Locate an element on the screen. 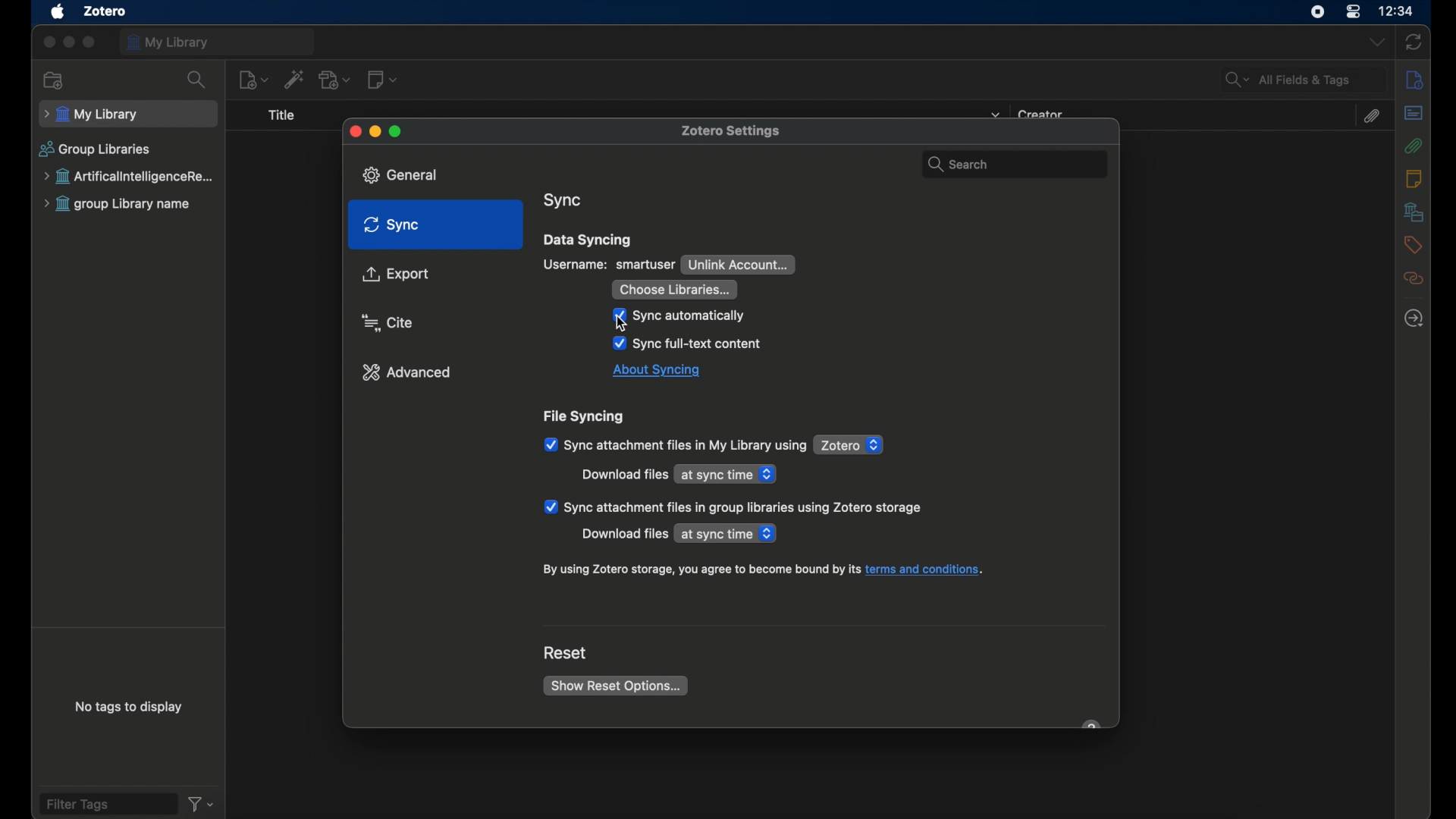 The width and height of the screenshot is (1456, 819). cite is located at coordinates (388, 322).